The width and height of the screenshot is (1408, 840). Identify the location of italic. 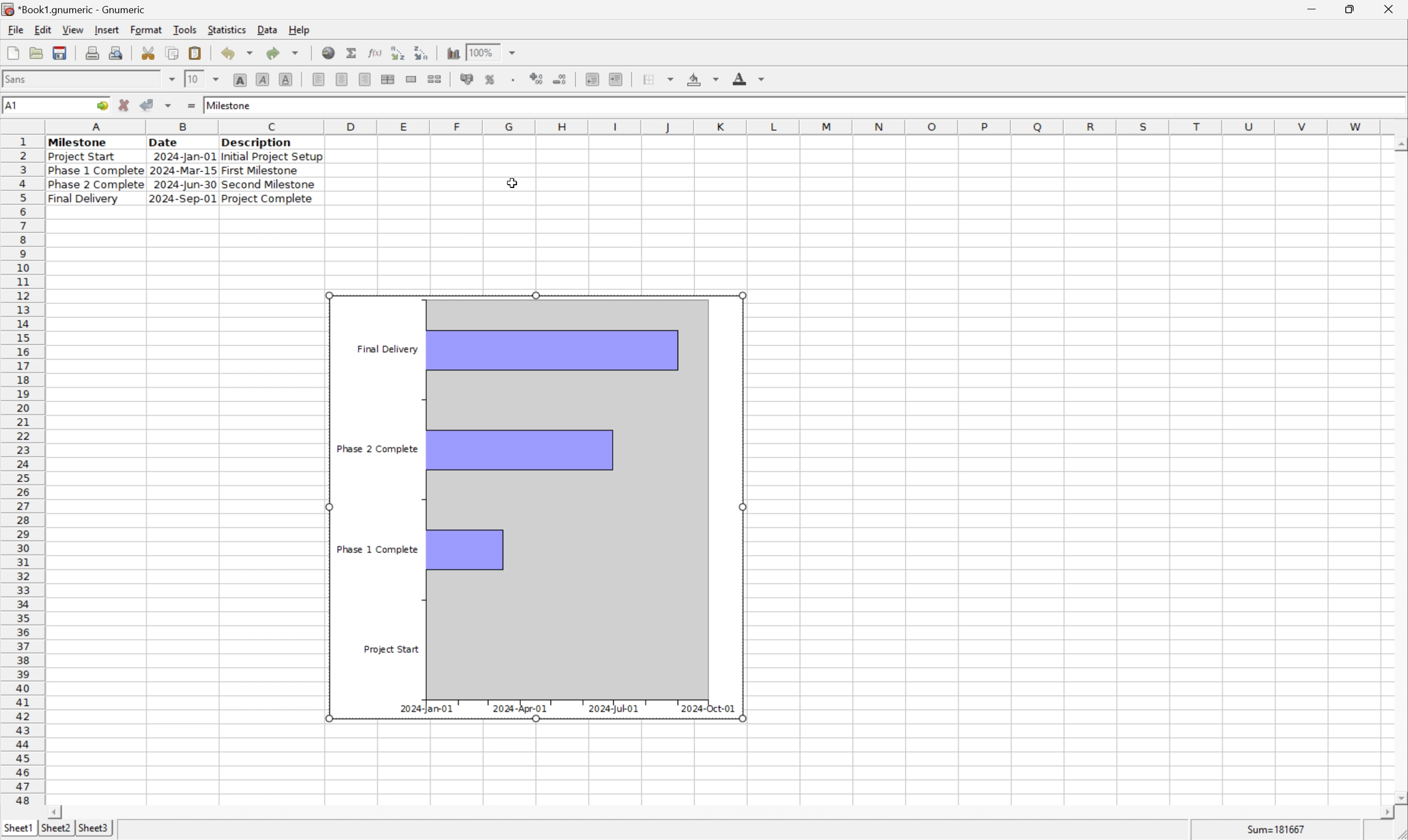
(263, 79).